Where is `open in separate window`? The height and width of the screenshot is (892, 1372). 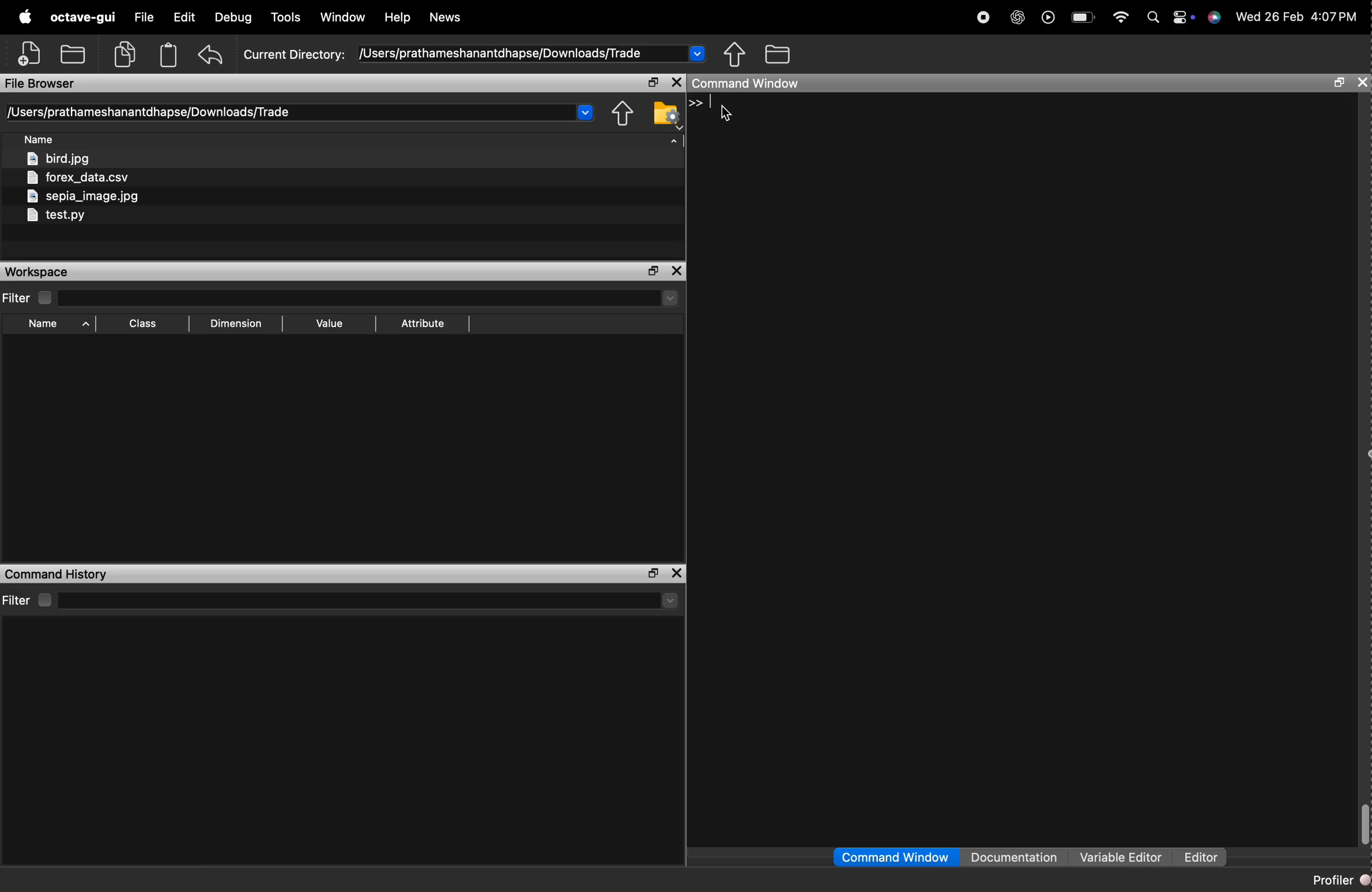
open in separate window is located at coordinates (654, 271).